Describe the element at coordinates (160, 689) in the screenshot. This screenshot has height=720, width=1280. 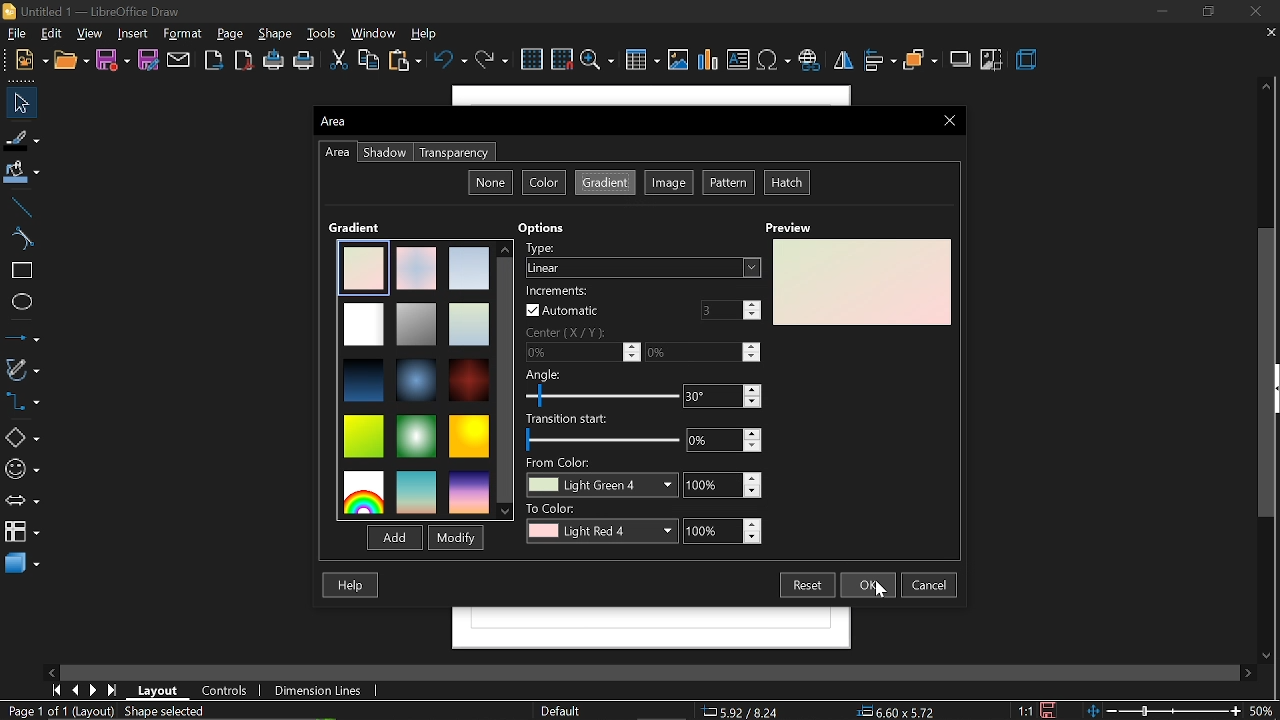
I see `layout` at that location.